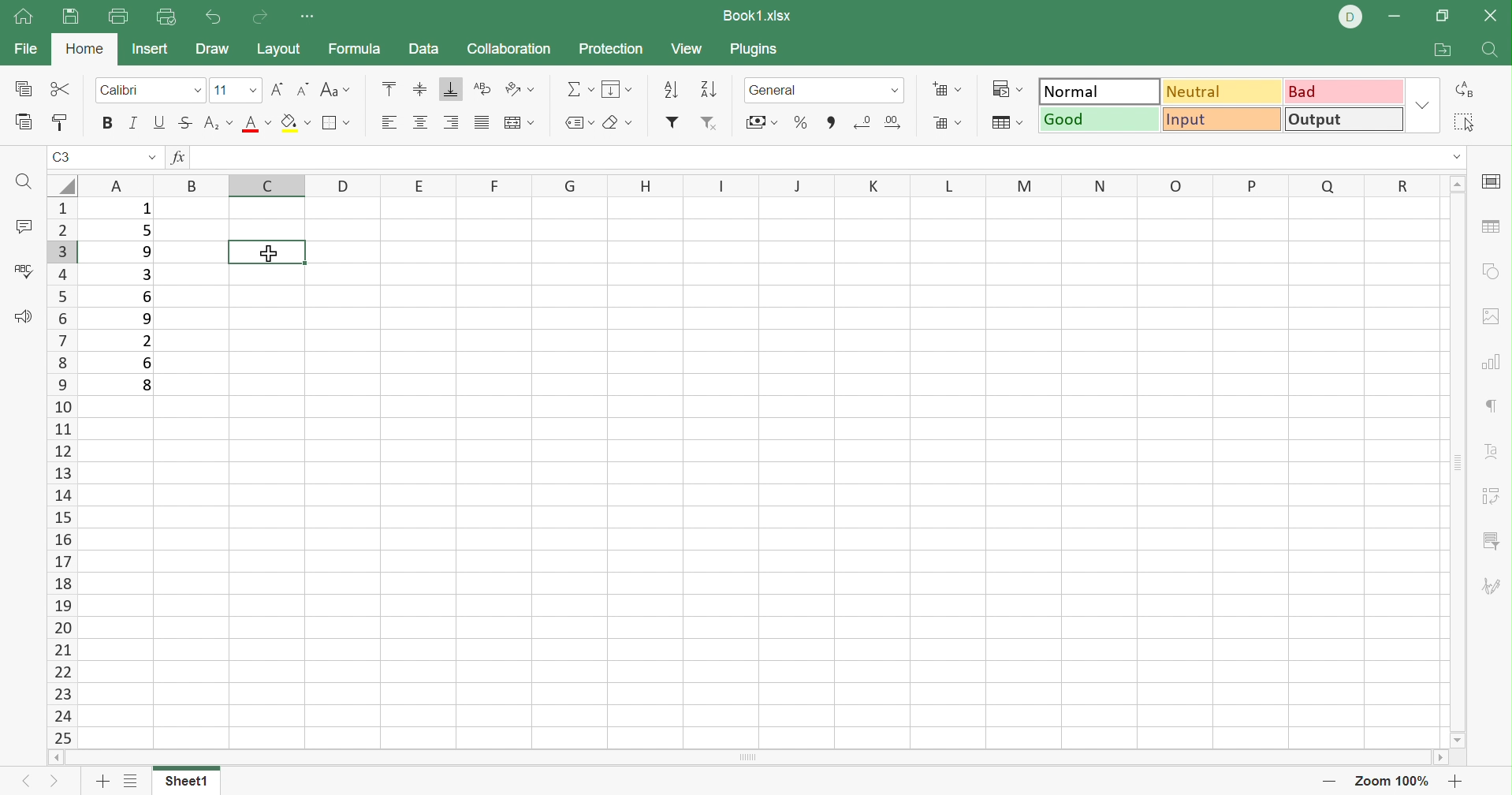 The width and height of the screenshot is (1512, 795). I want to click on Zoom 100%, so click(1390, 780).